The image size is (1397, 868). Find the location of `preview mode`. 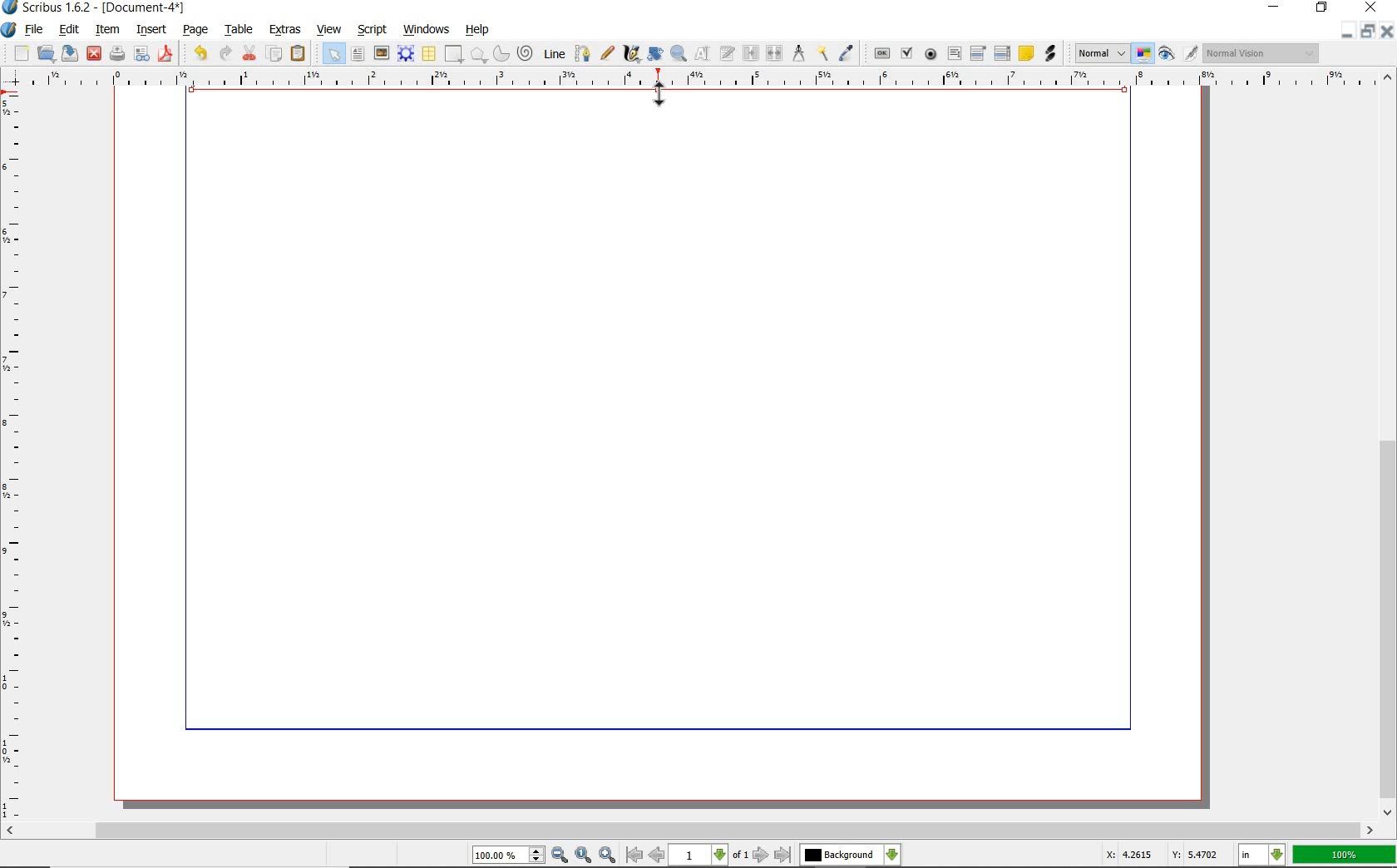

preview mode is located at coordinates (1178, 55).